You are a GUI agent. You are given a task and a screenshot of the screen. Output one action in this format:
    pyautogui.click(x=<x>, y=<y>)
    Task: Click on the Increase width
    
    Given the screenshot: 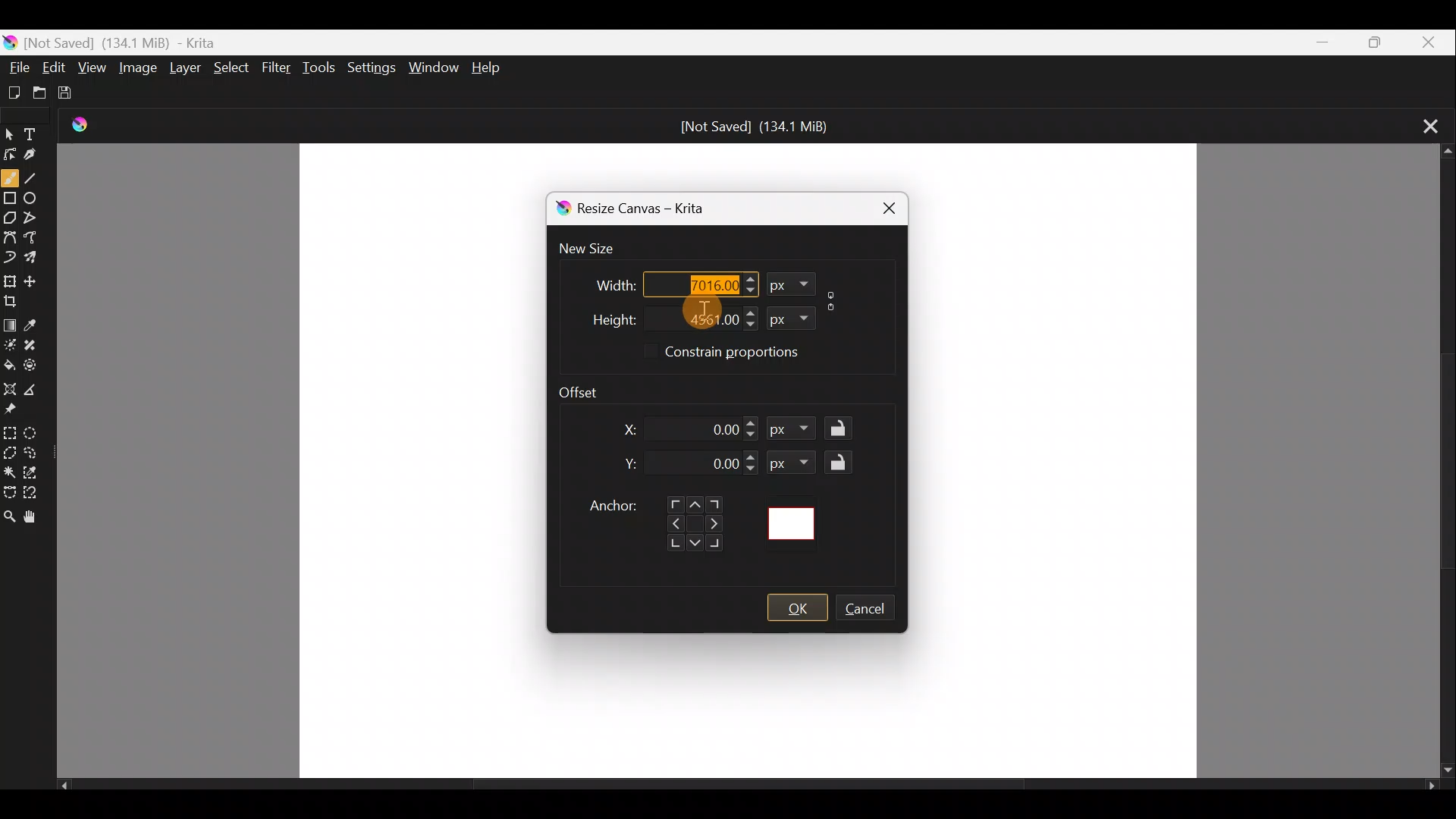 What is the action you would take?
    pyautogui.click(x=750, y=278)
    